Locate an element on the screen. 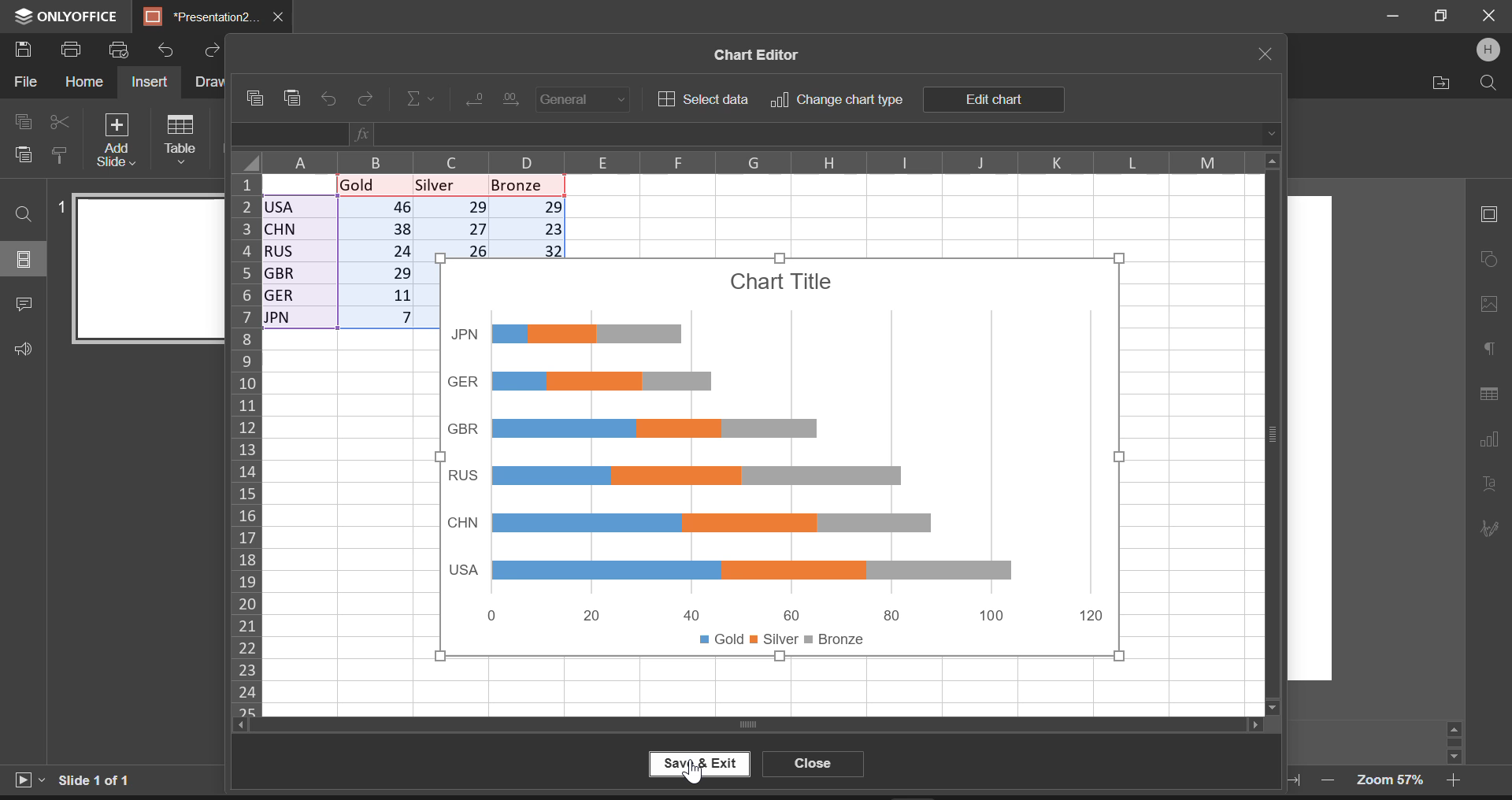  Decrease Decimal is located at coordinates (477, 98).